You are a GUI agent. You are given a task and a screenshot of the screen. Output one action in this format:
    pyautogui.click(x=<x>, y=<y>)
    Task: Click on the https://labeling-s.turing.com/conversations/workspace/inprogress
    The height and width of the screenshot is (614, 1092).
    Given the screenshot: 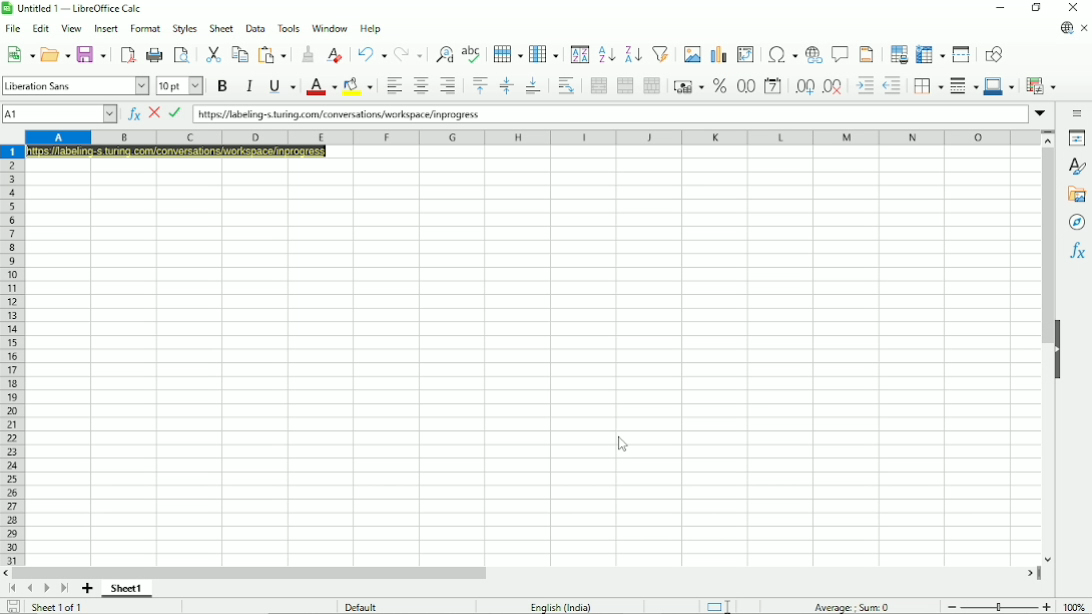 What is the action you would take?
    pyautogui.click(x=179, y=151)
    